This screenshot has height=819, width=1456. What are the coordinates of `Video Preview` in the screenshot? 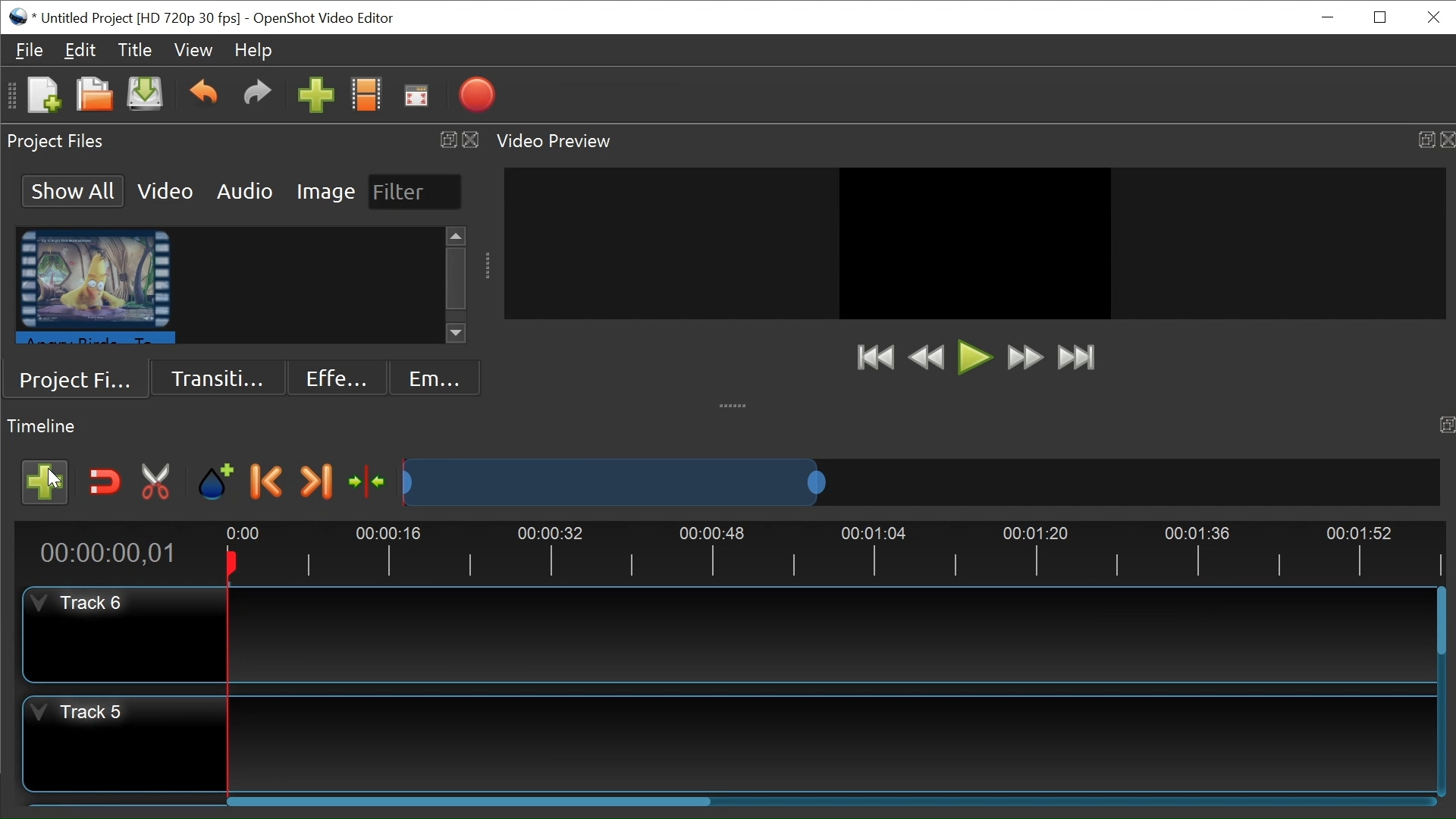 It's located at (973, 140).